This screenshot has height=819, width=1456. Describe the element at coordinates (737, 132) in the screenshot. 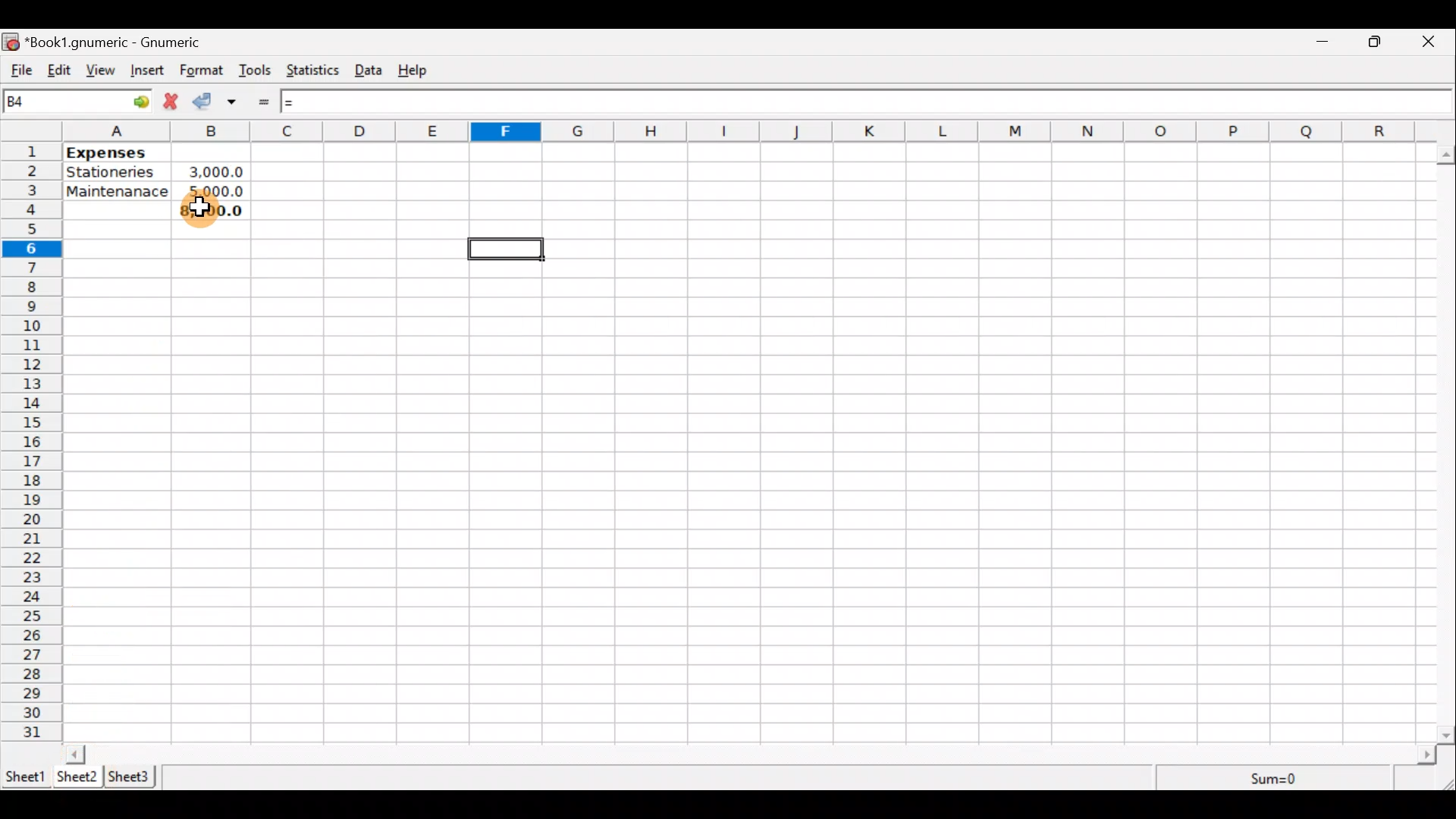

I see `alphabets row` at that location.